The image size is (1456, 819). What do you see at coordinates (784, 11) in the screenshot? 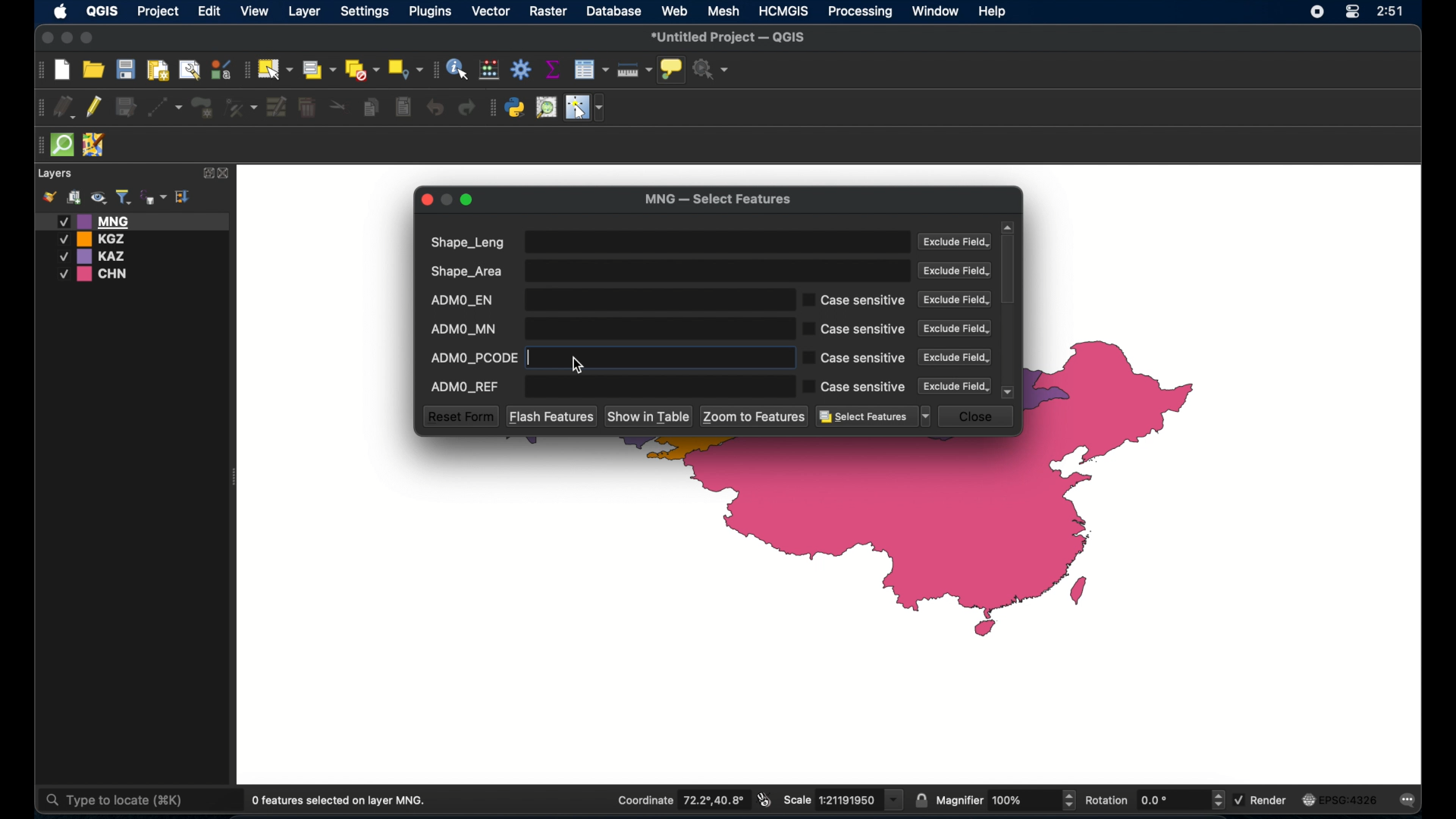
I see `HCMGIS` at bounding box center [784, 11].